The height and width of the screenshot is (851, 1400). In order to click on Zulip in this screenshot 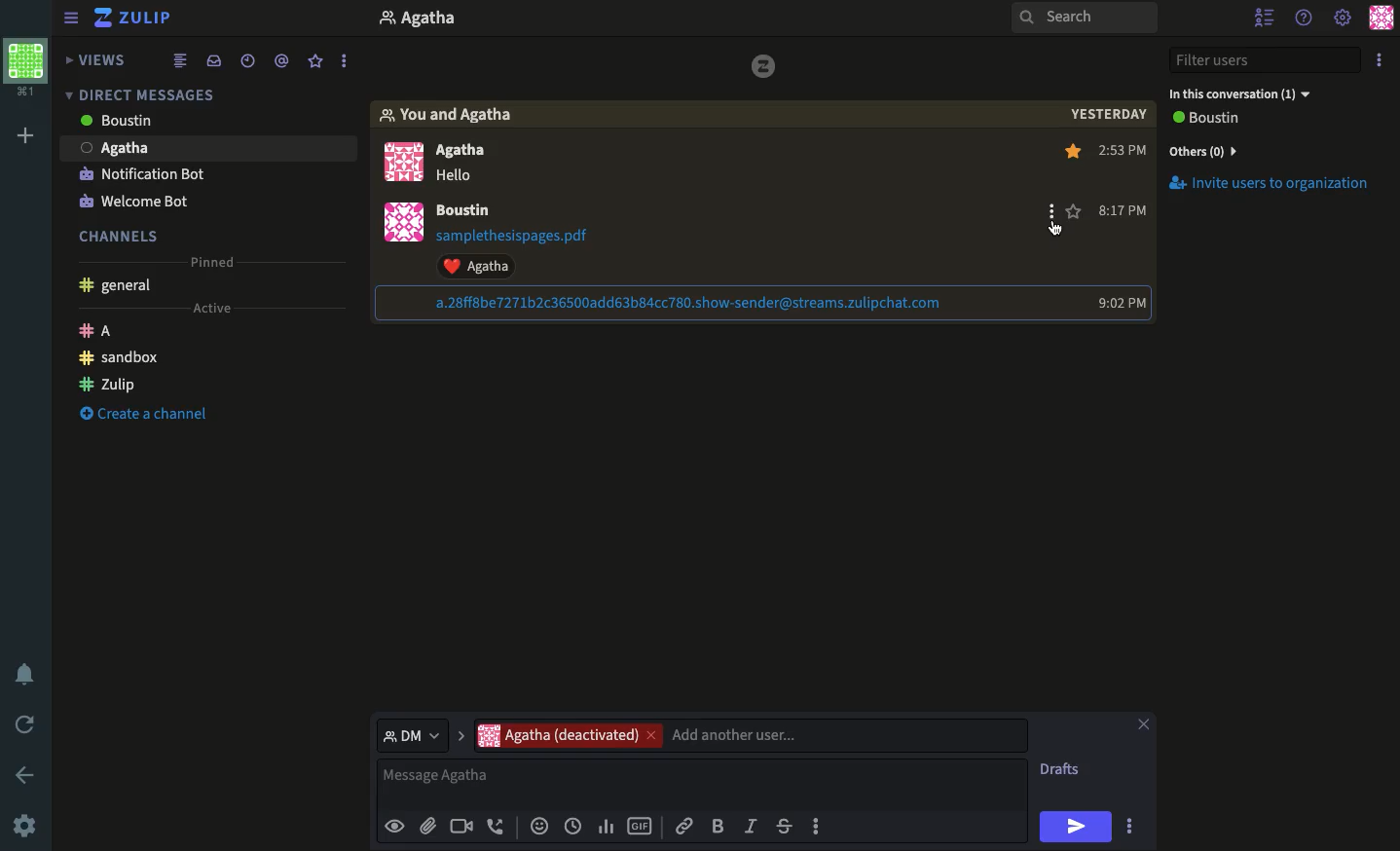, I will do `click(108, 382)`.